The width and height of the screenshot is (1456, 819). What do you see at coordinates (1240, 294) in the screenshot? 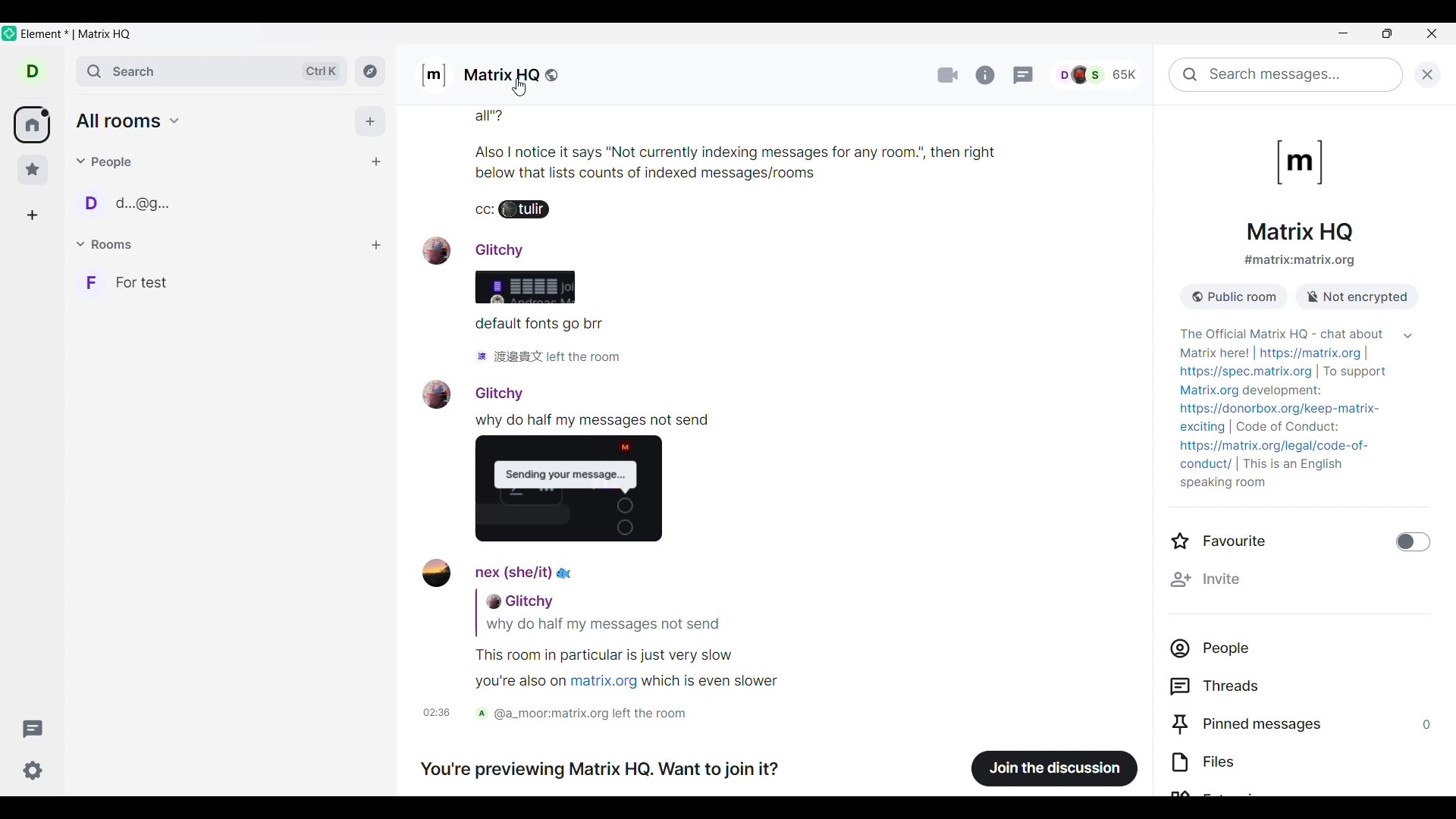
I see `public room` at bounding box center [1240, 294].